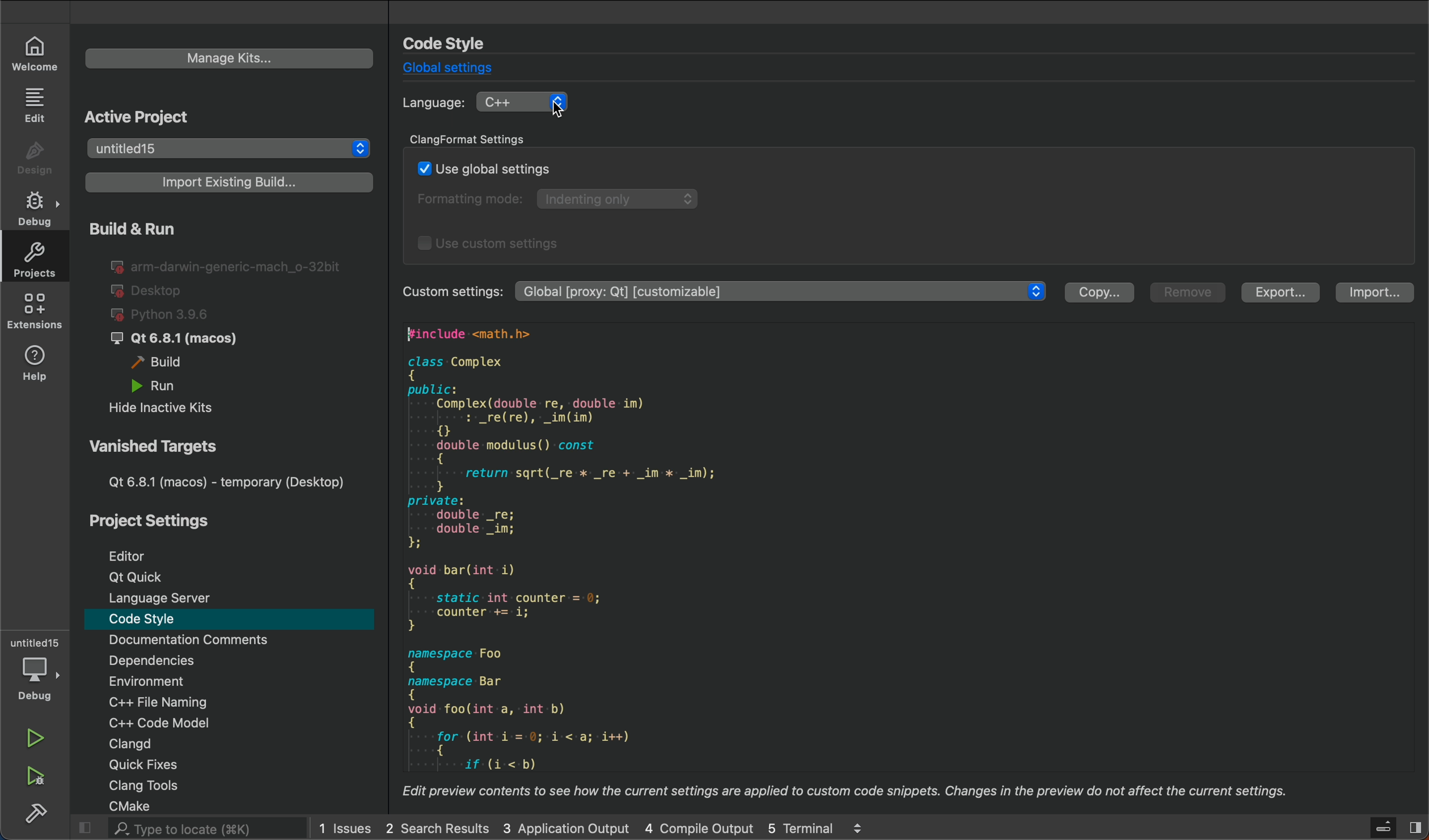 The image size is (1429, 840). What do you see at coordinates (449, 69) in the screenshot?
I see `global settings` at bounding box center [449, 69].